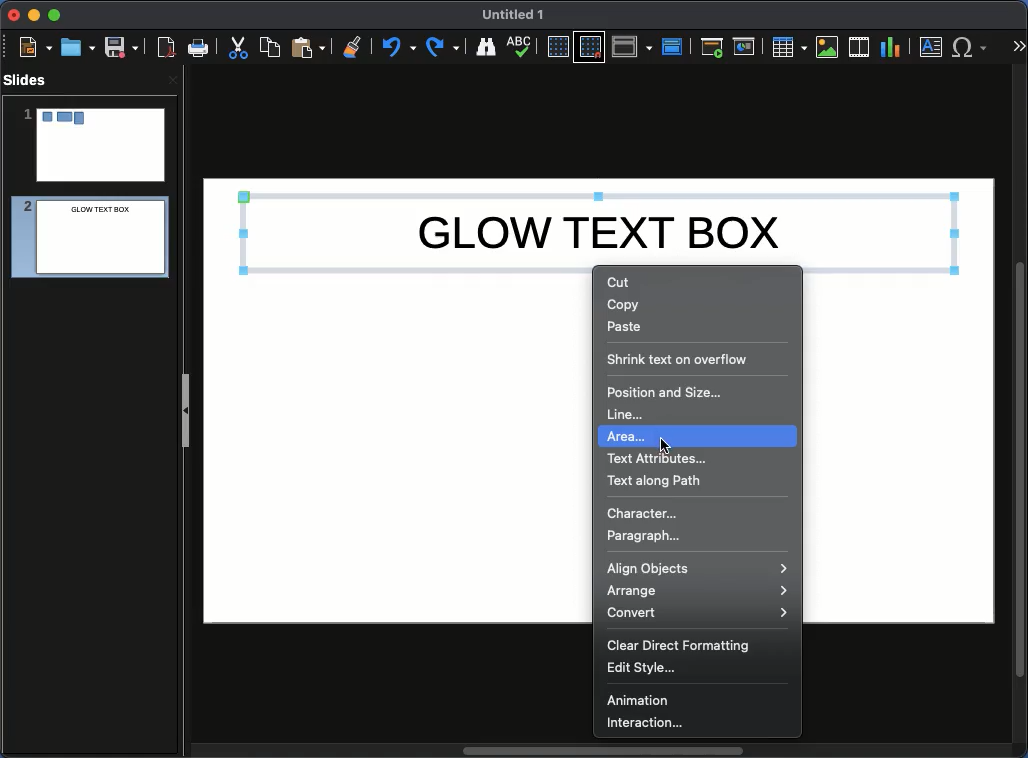 The image size is (1028, 758). What do you see at coordinates (662, 460) in the screenshot?
I see `Text attributes` at bounding box center [662, 460].